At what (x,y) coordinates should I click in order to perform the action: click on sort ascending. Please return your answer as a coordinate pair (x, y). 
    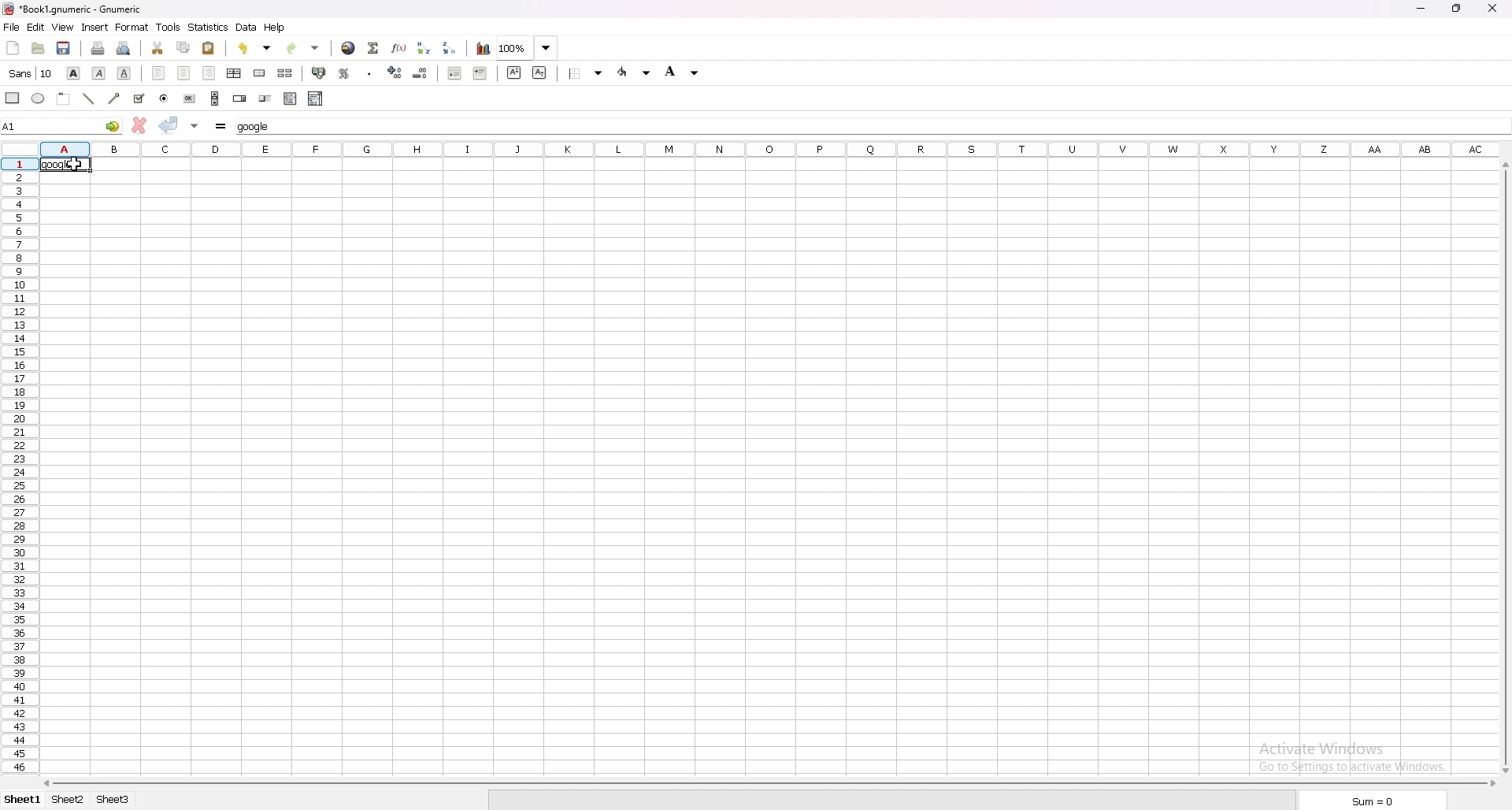
    Looking at the image, I should click on (424, 47).